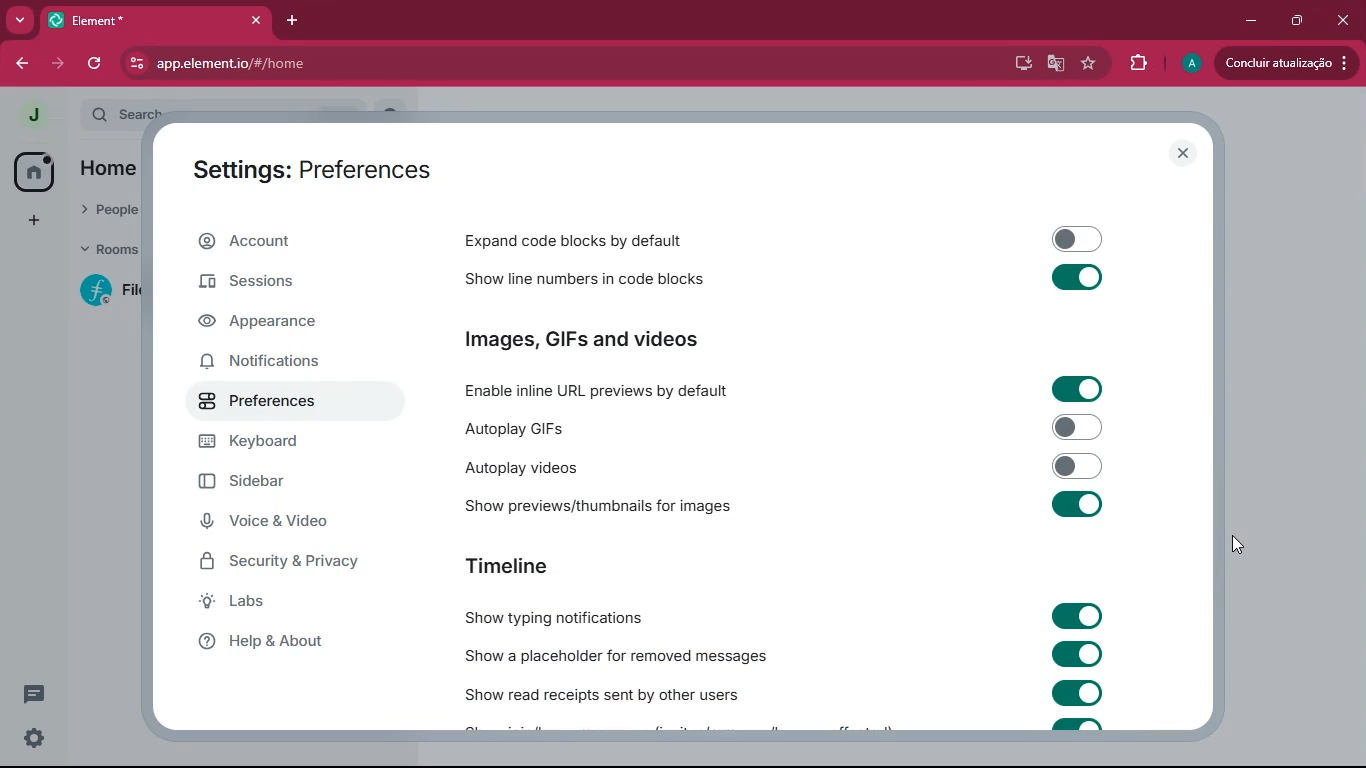 This screenshot has width=1366, height=768. What do you see at coordinates (1077, 504) in the screenshot?
I see `toggle on/off` at bounding box center [1077, 504].